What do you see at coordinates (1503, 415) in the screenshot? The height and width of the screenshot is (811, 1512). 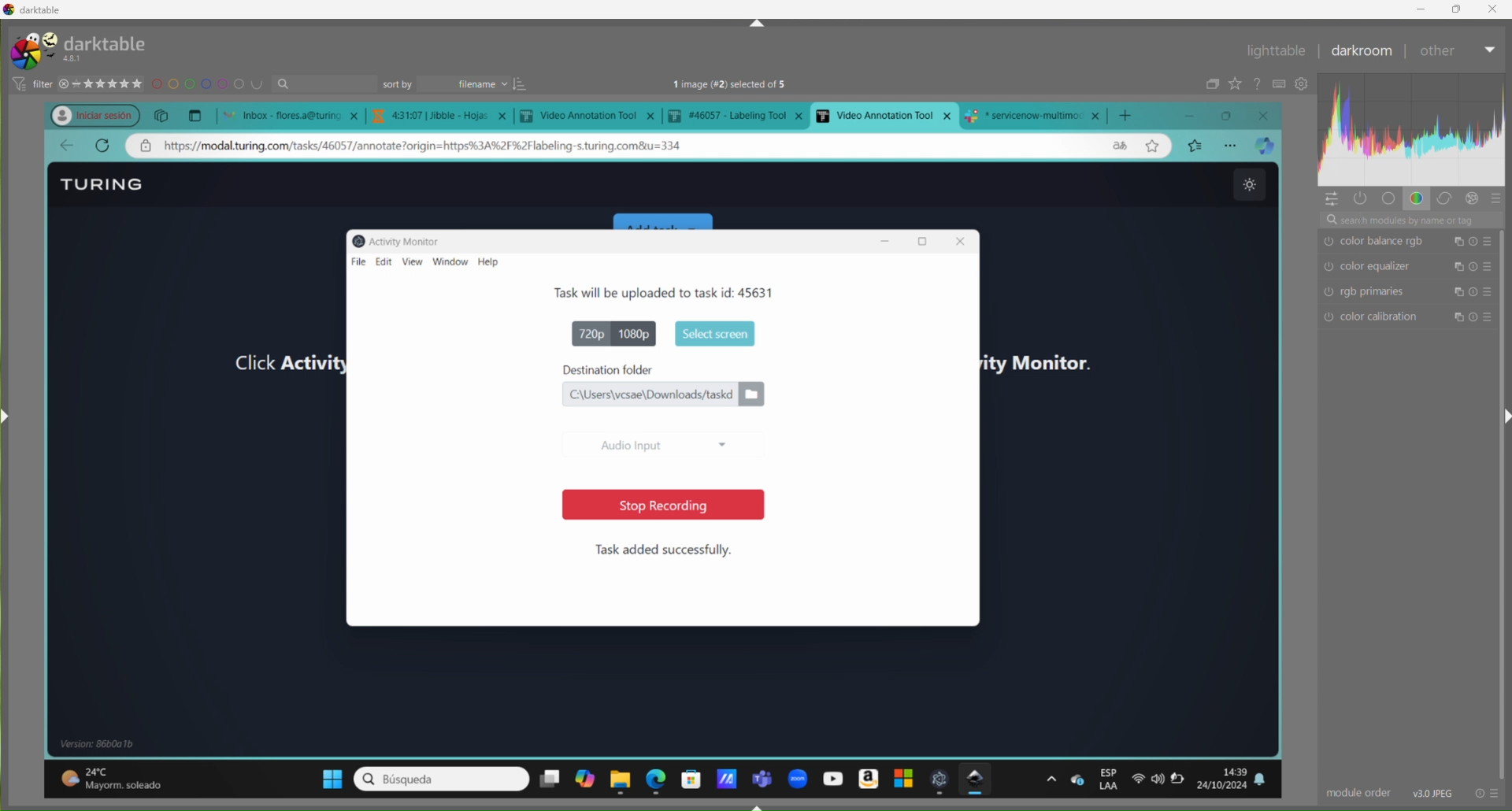 I see `Right` at bounding box center [1503, 415].